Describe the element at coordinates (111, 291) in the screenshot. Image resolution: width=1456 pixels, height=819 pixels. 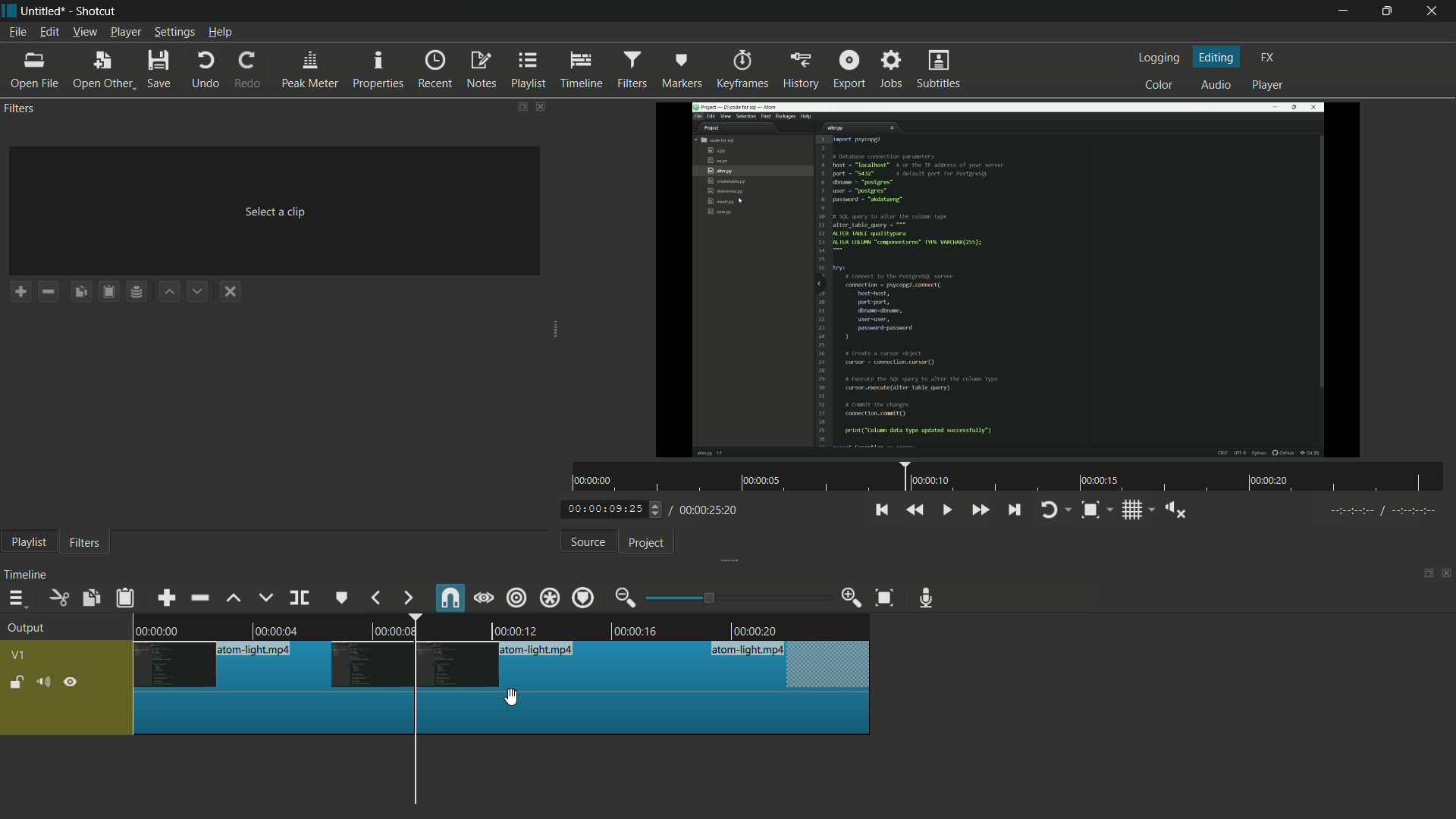
I see `paste filters` at that location.